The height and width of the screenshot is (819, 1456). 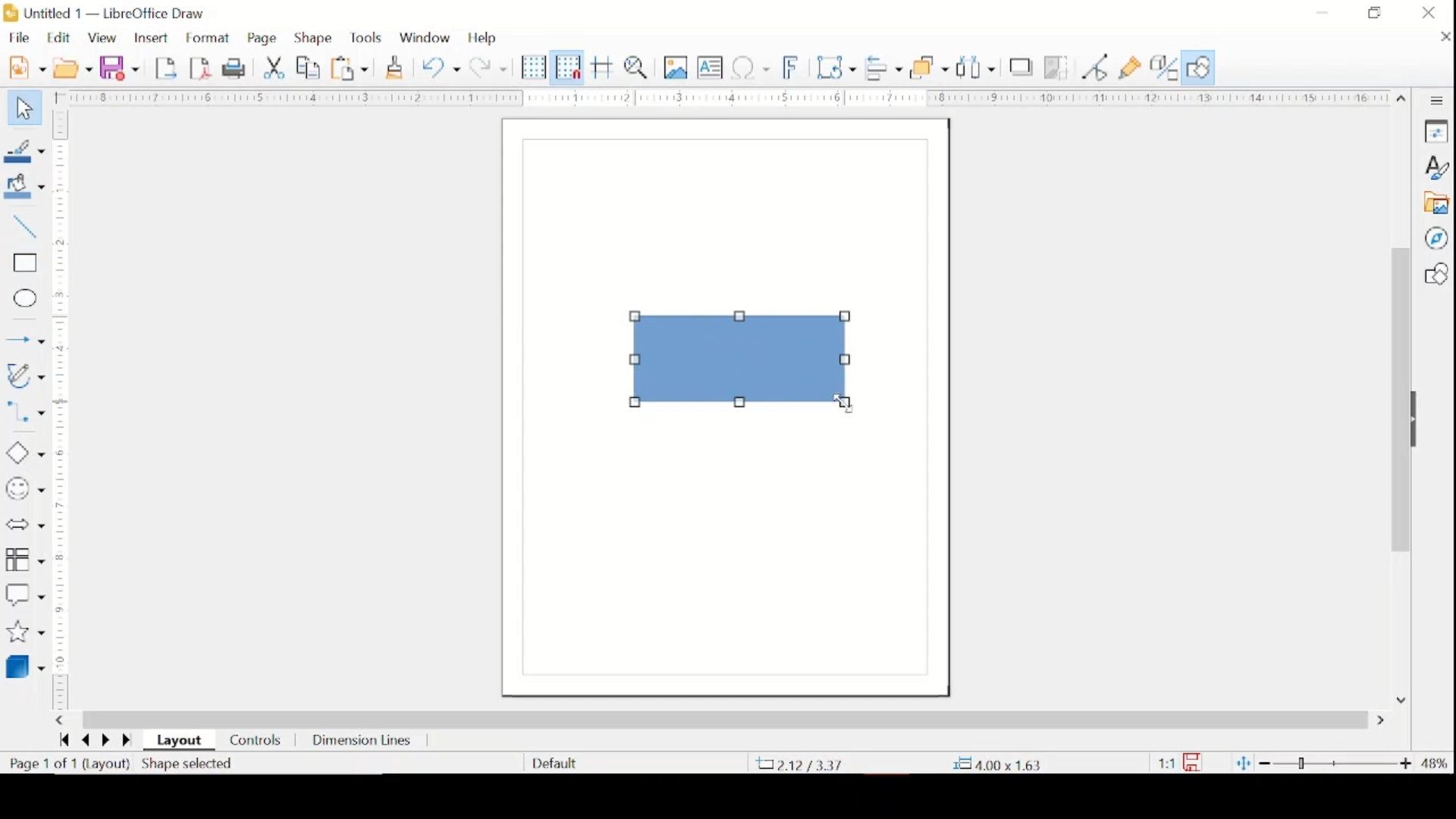 I want to click on this document has been modified, so click(x=1180, y=763).